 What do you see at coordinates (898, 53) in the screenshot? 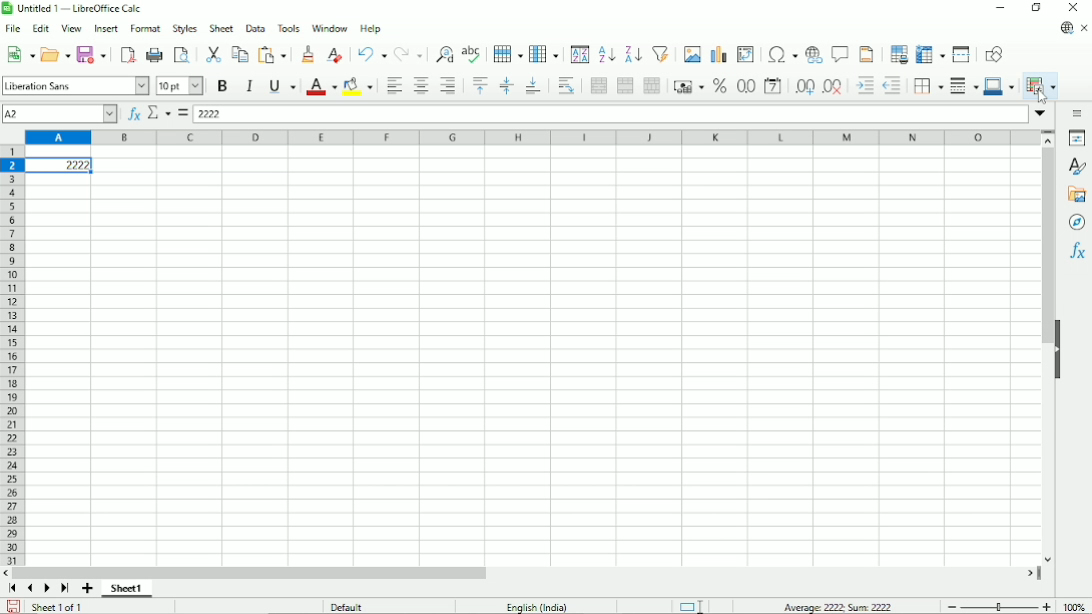
I see `Define print area` at bounding box center [898, 53].